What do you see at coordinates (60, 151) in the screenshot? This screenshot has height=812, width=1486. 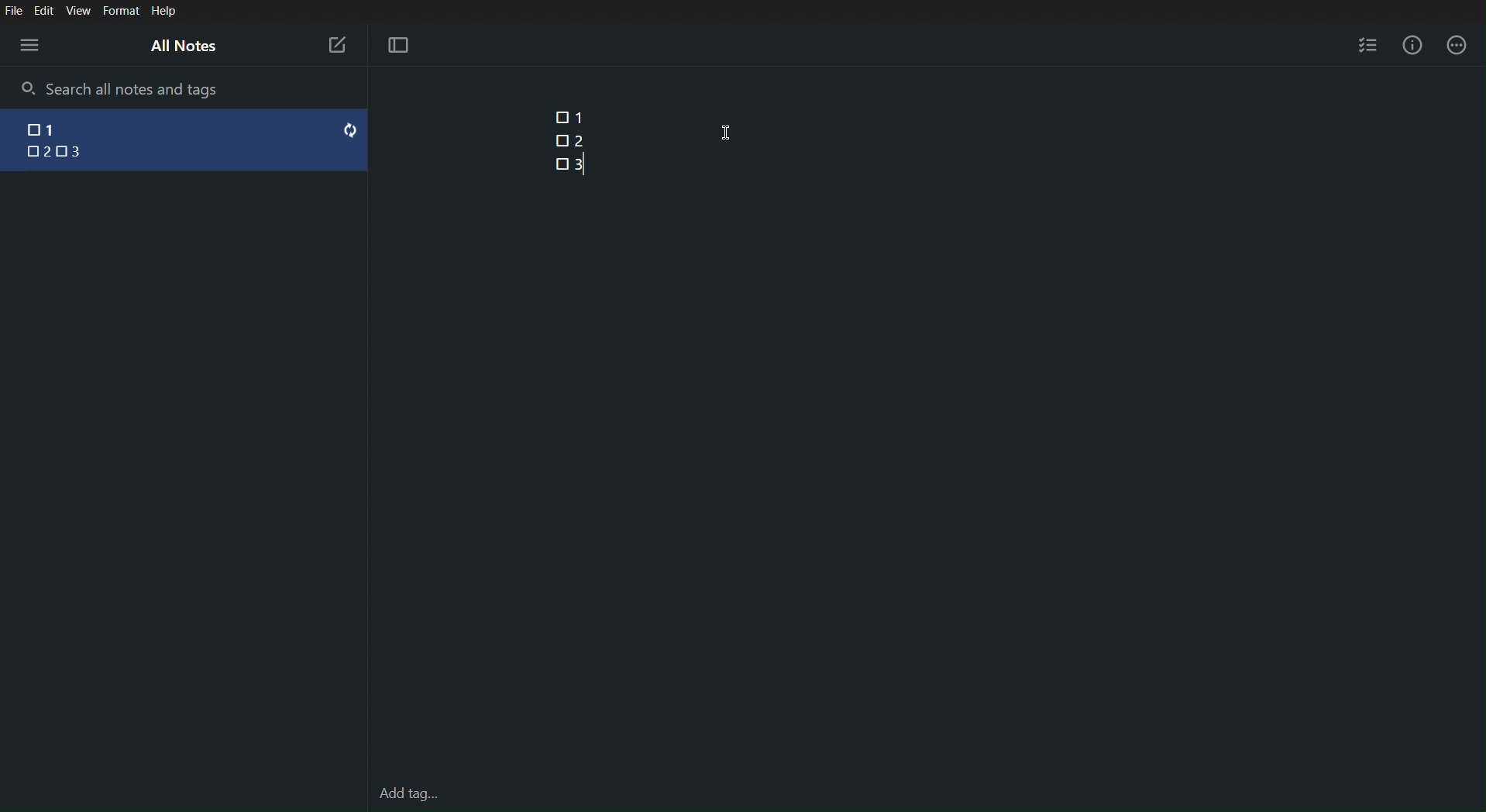 I see `checkbox` at bounding box center [60, 151].